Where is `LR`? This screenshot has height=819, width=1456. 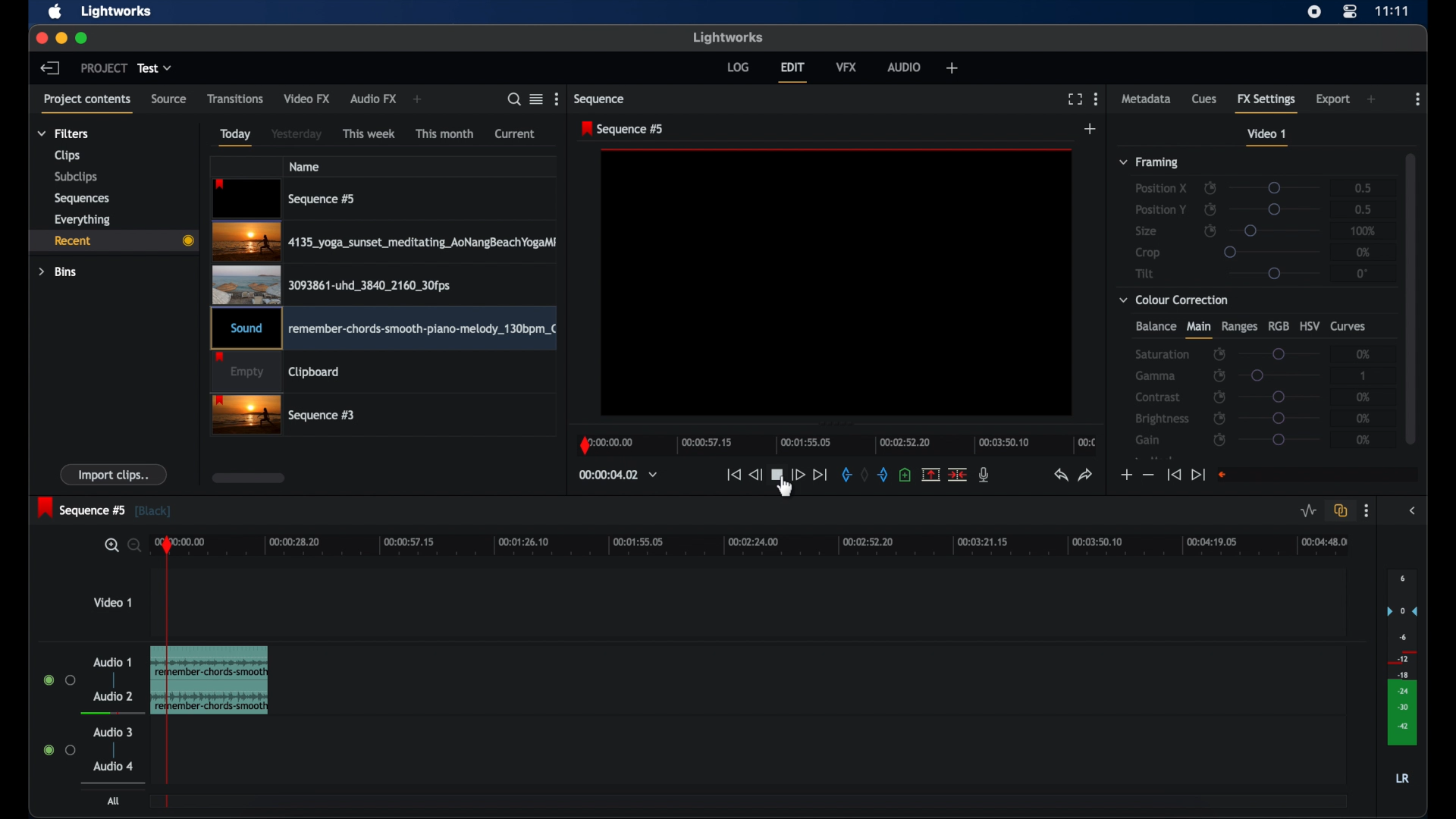 LR is located at coordinates (1402, 778).